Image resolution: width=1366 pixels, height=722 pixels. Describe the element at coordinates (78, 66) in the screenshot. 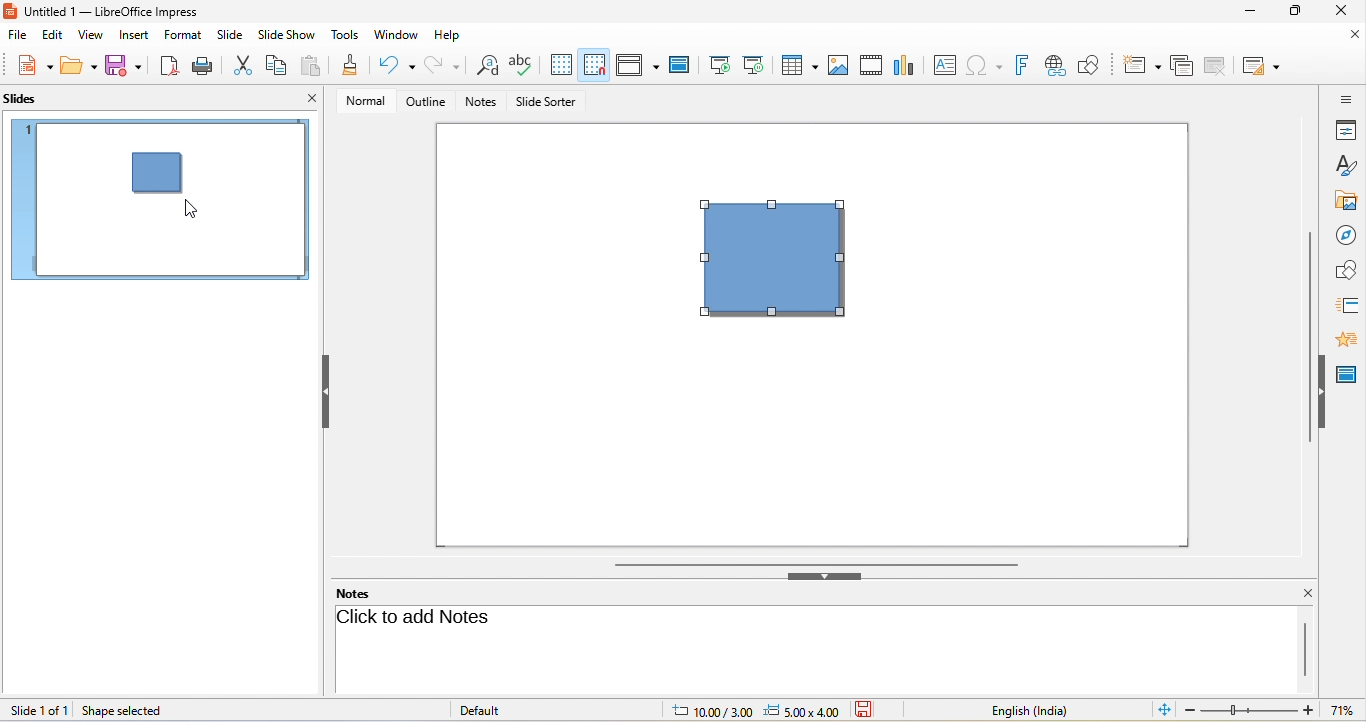

I see `open` at that location.